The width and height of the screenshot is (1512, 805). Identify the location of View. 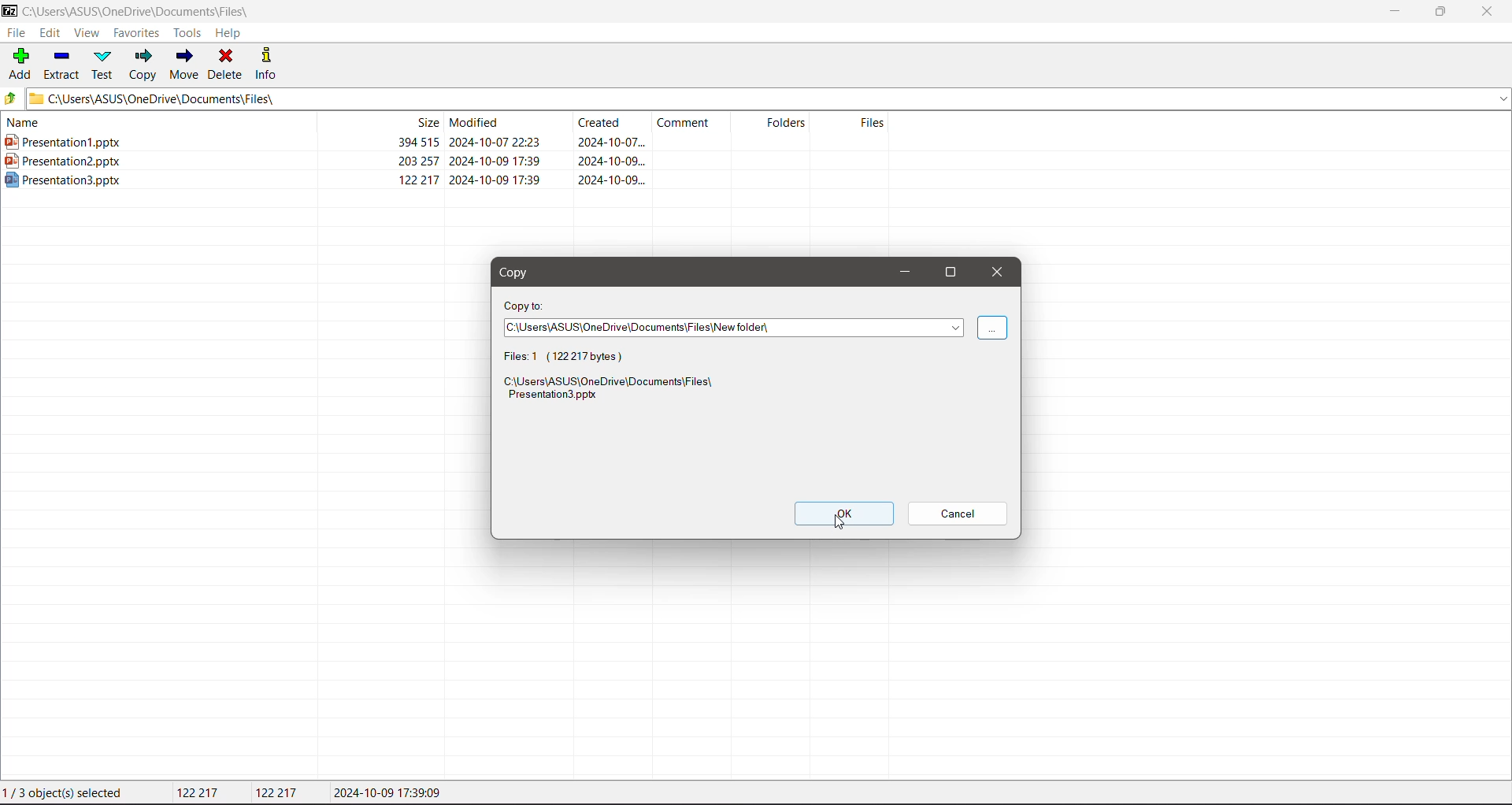
(86, 33).